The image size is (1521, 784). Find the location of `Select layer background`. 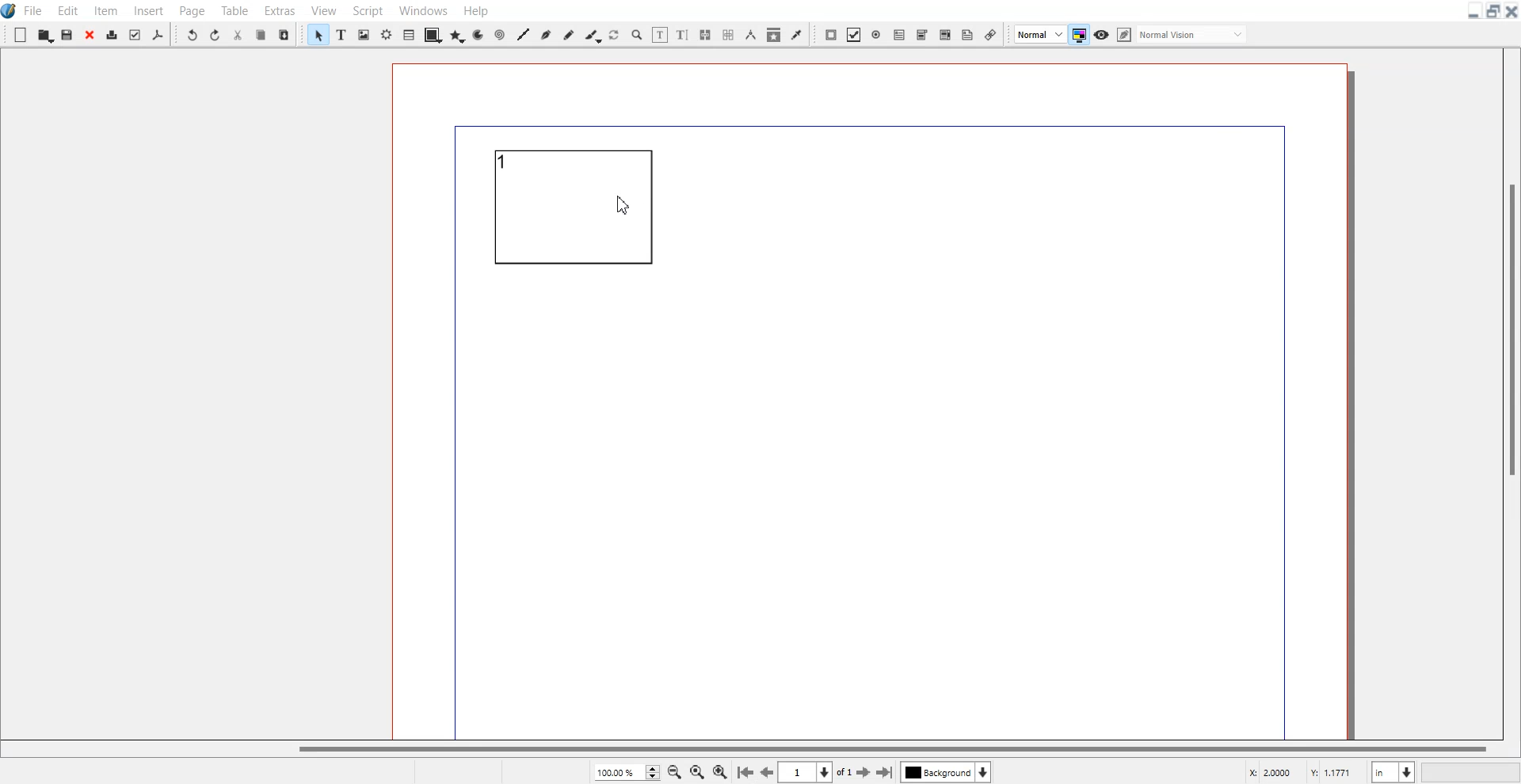

Select layer background is located at coordinates (945, 772).